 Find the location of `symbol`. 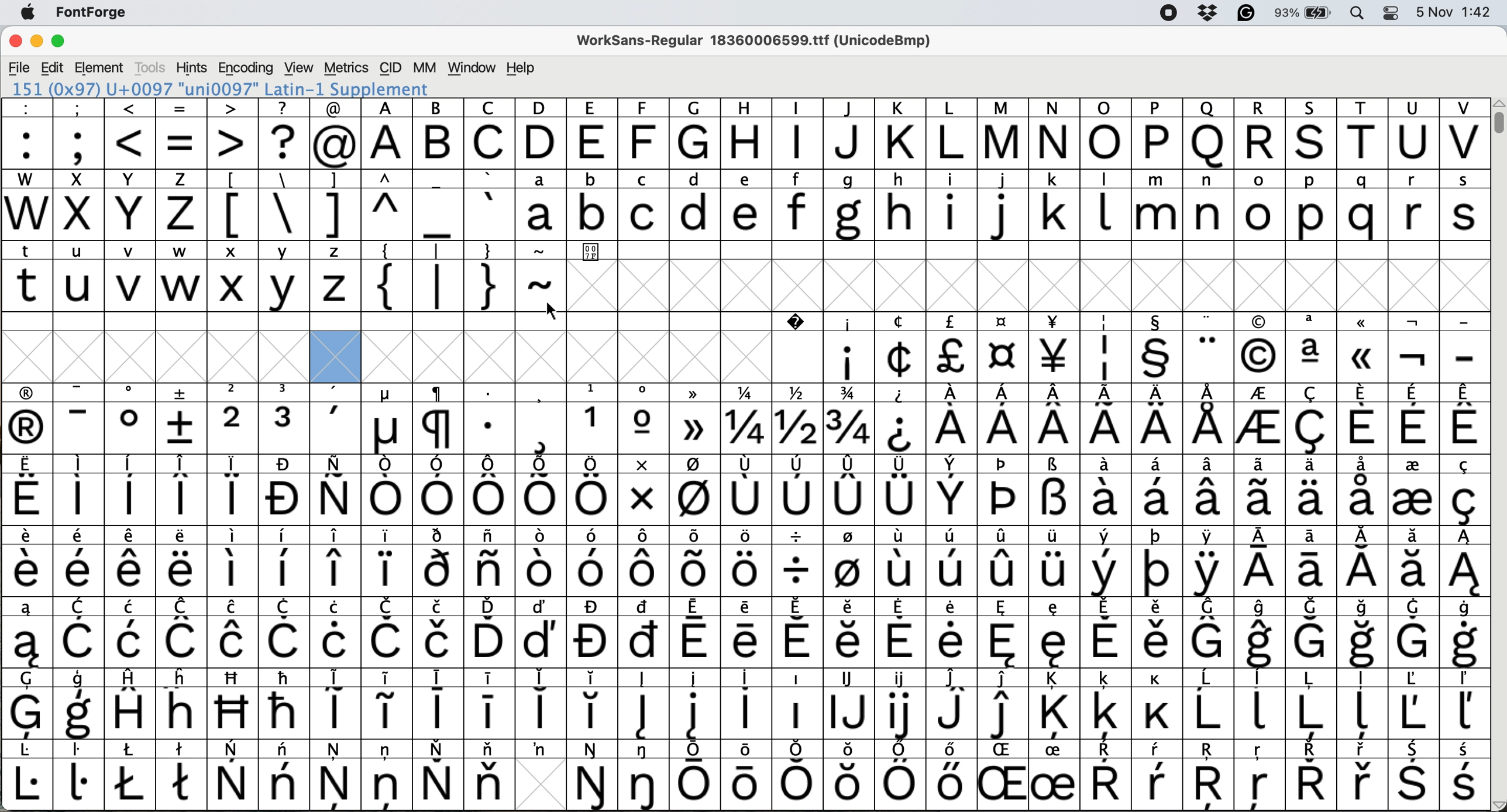

symbol is located at coordinates (1312, 633).